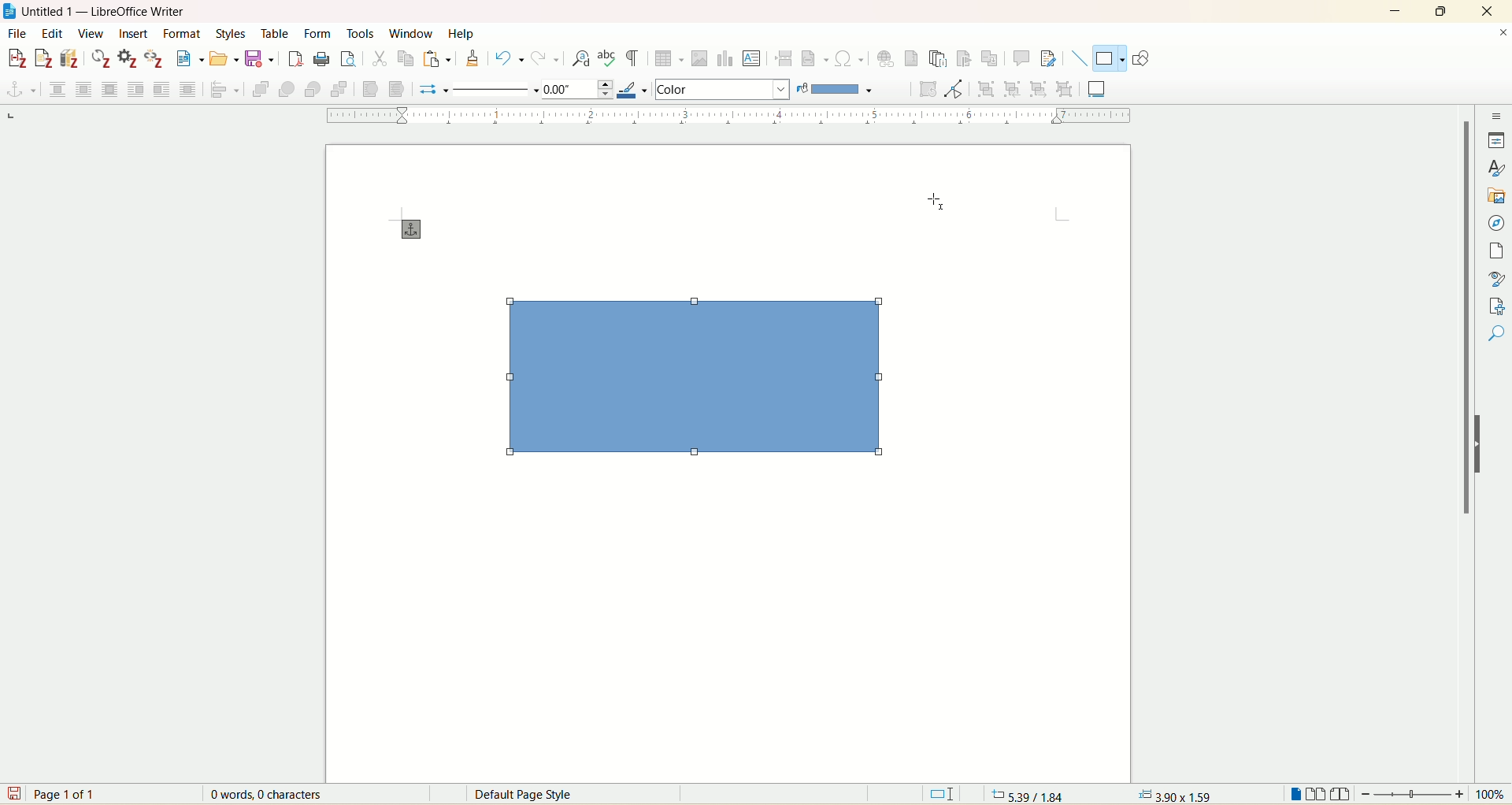 This screenshot has height=805, width=1512. Describe the element at coordinates (127, 58) in the screenshot. I see `document preferences` at that location.